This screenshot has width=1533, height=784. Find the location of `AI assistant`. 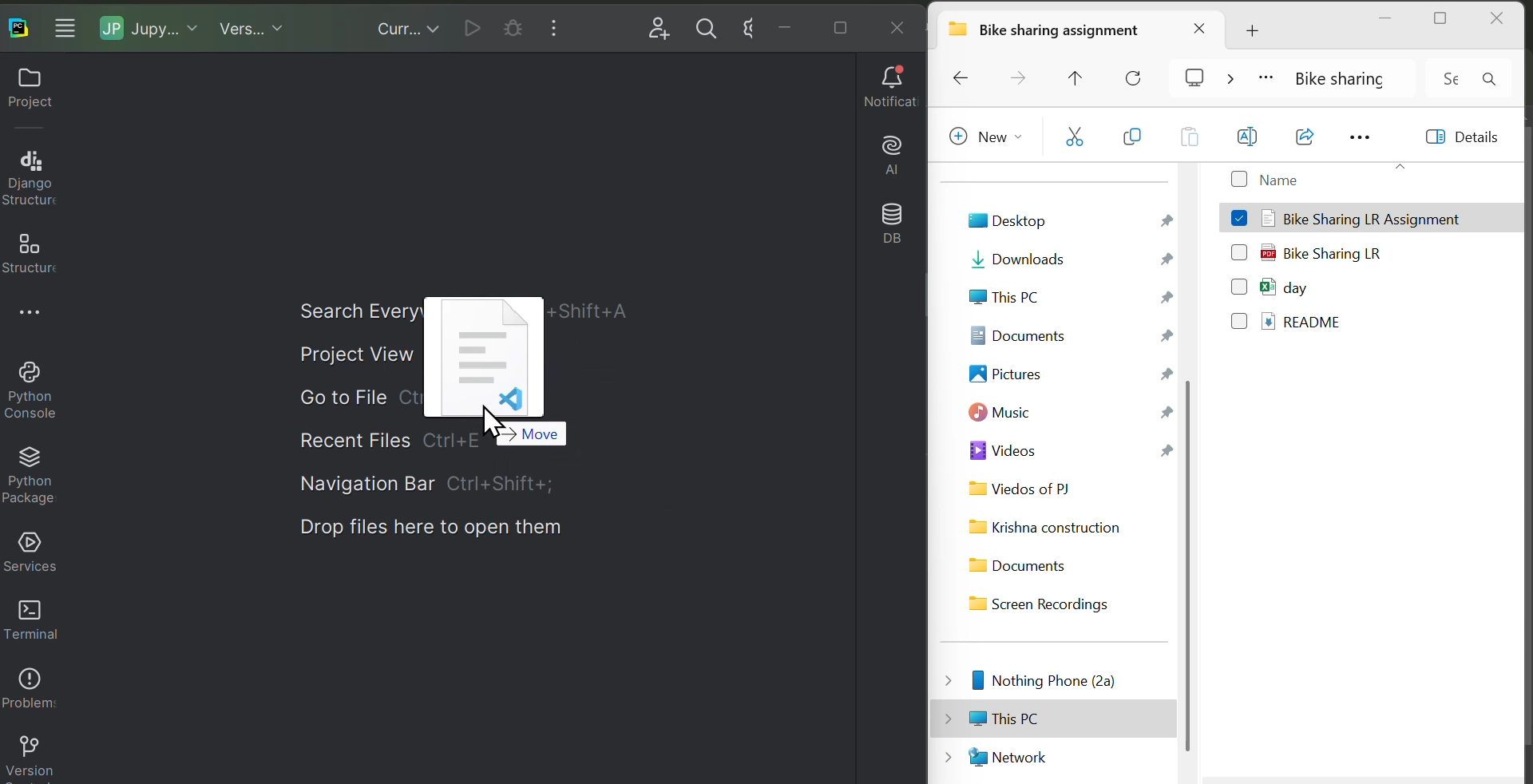

AI assistant is located at coordinates (885, 151).